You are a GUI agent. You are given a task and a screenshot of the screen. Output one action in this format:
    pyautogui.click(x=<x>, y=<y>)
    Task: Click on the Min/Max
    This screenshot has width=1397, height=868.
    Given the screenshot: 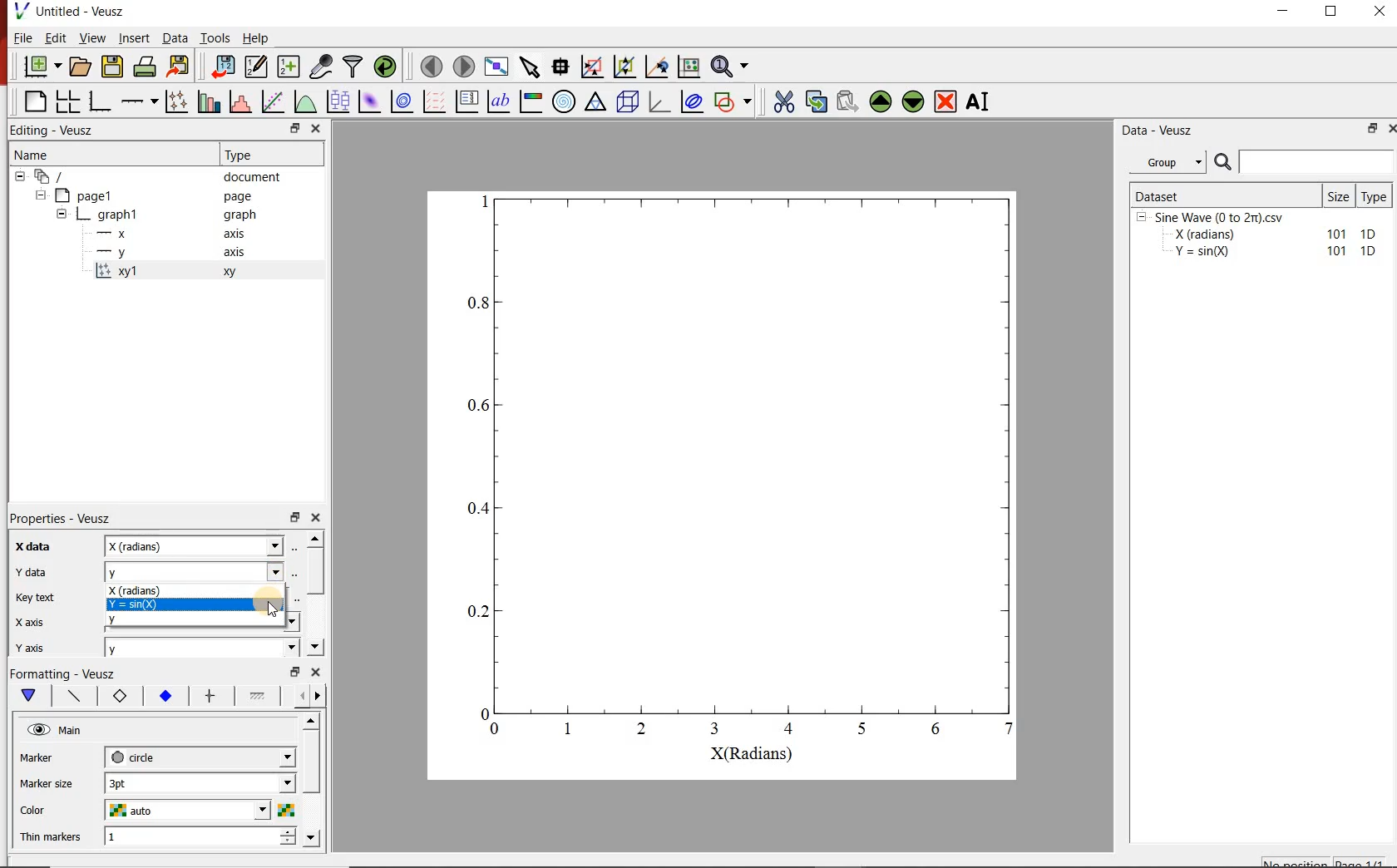 What is the action you would take?
    pyautogui.click(x=295, y=672)
    